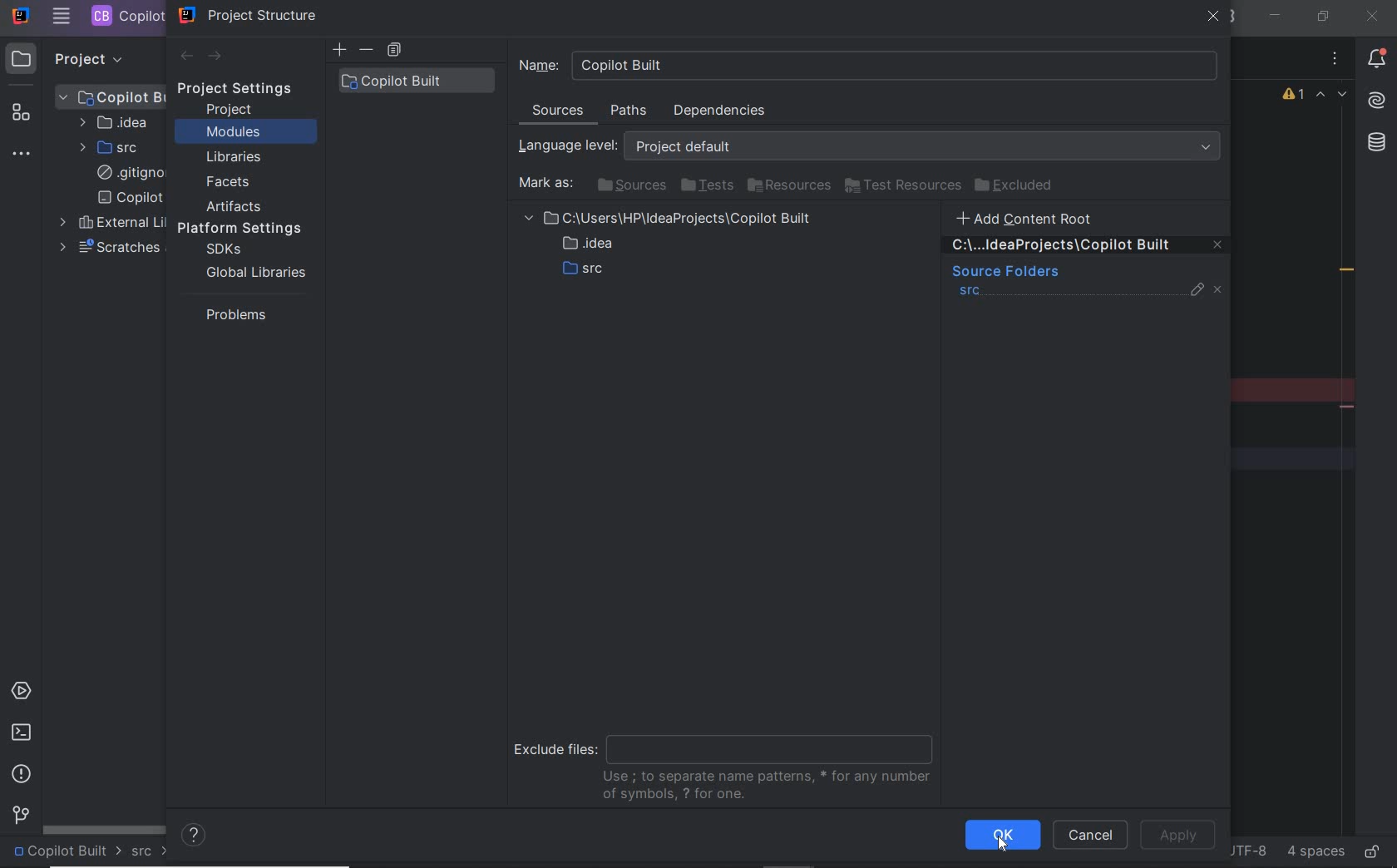 The image size is (1397, 868). I want to click on database, so click(1375, 145).